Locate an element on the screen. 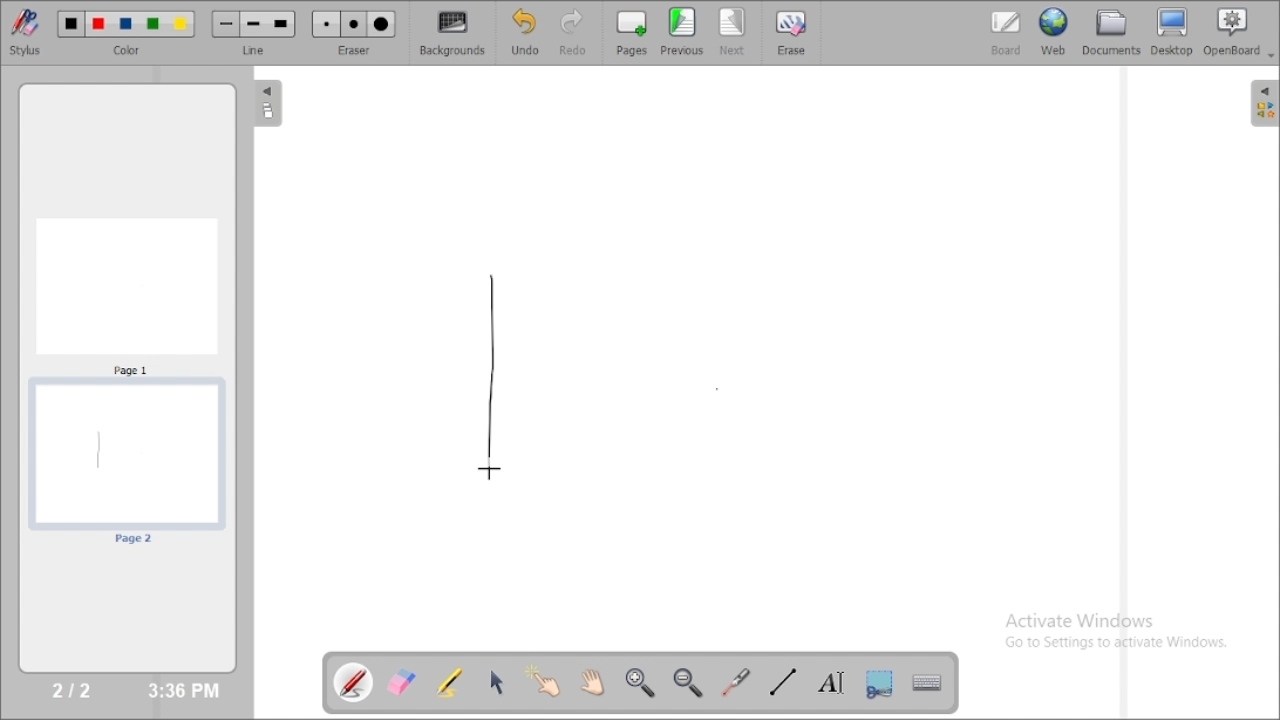 This screenshot has height=720, width=1280. Small eraser is located at coordinates (326, 25).